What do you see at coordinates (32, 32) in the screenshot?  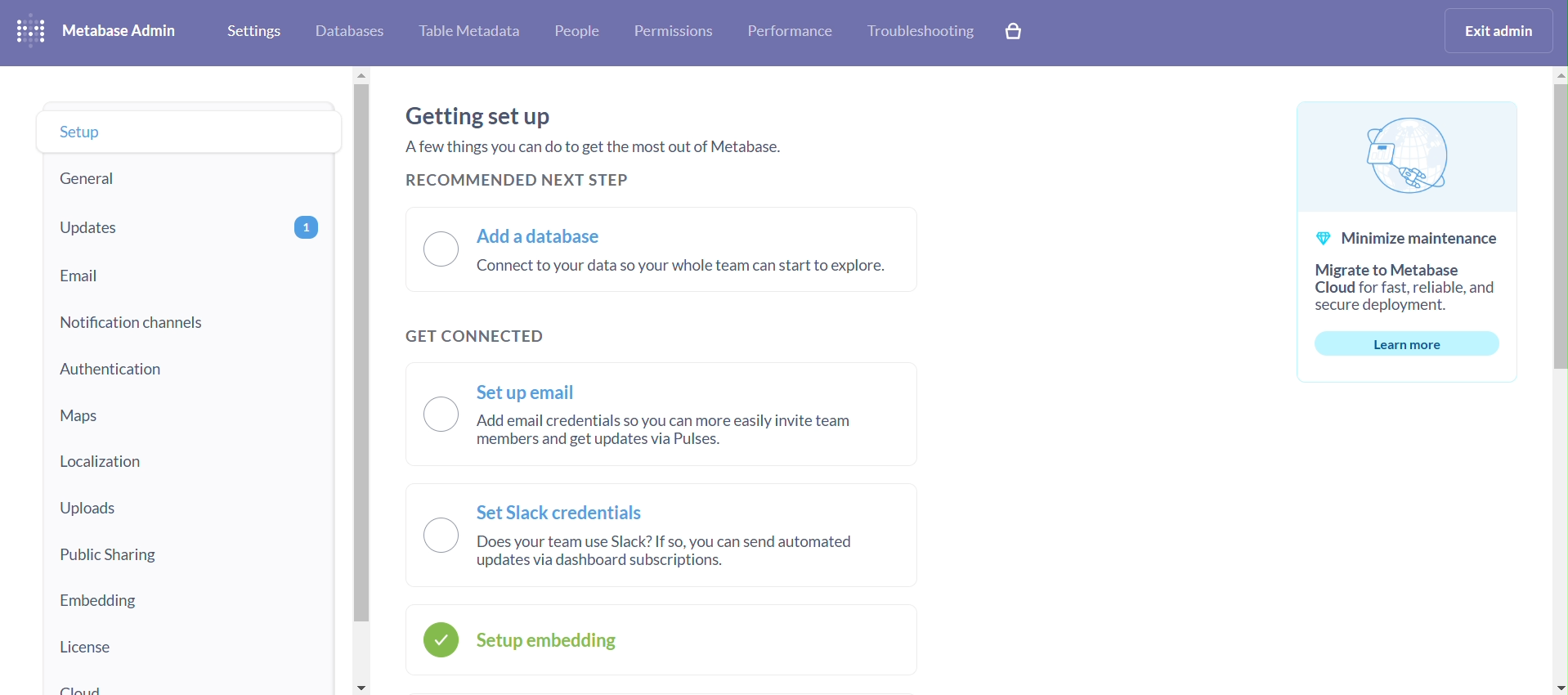 I see `logo` at bounding box center [32, 32].